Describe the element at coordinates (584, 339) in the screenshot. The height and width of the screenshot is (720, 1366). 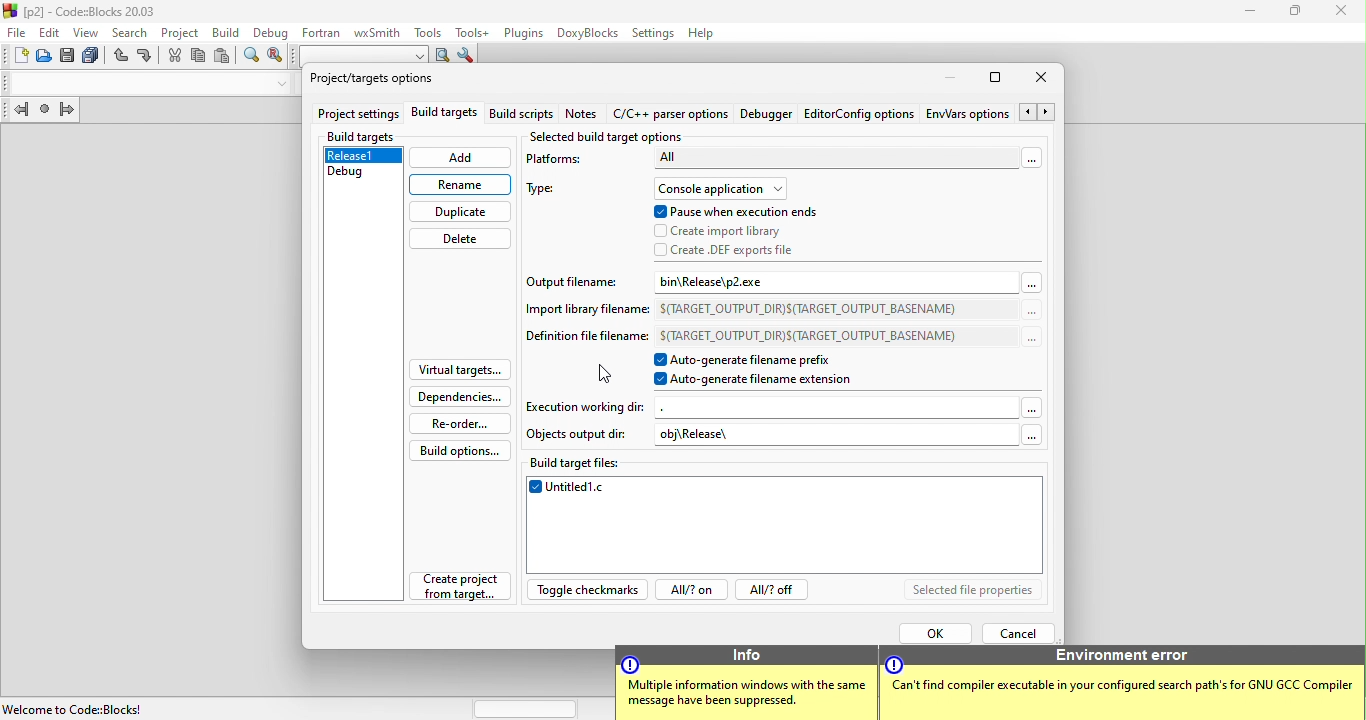
I see `definition file name` at that location.